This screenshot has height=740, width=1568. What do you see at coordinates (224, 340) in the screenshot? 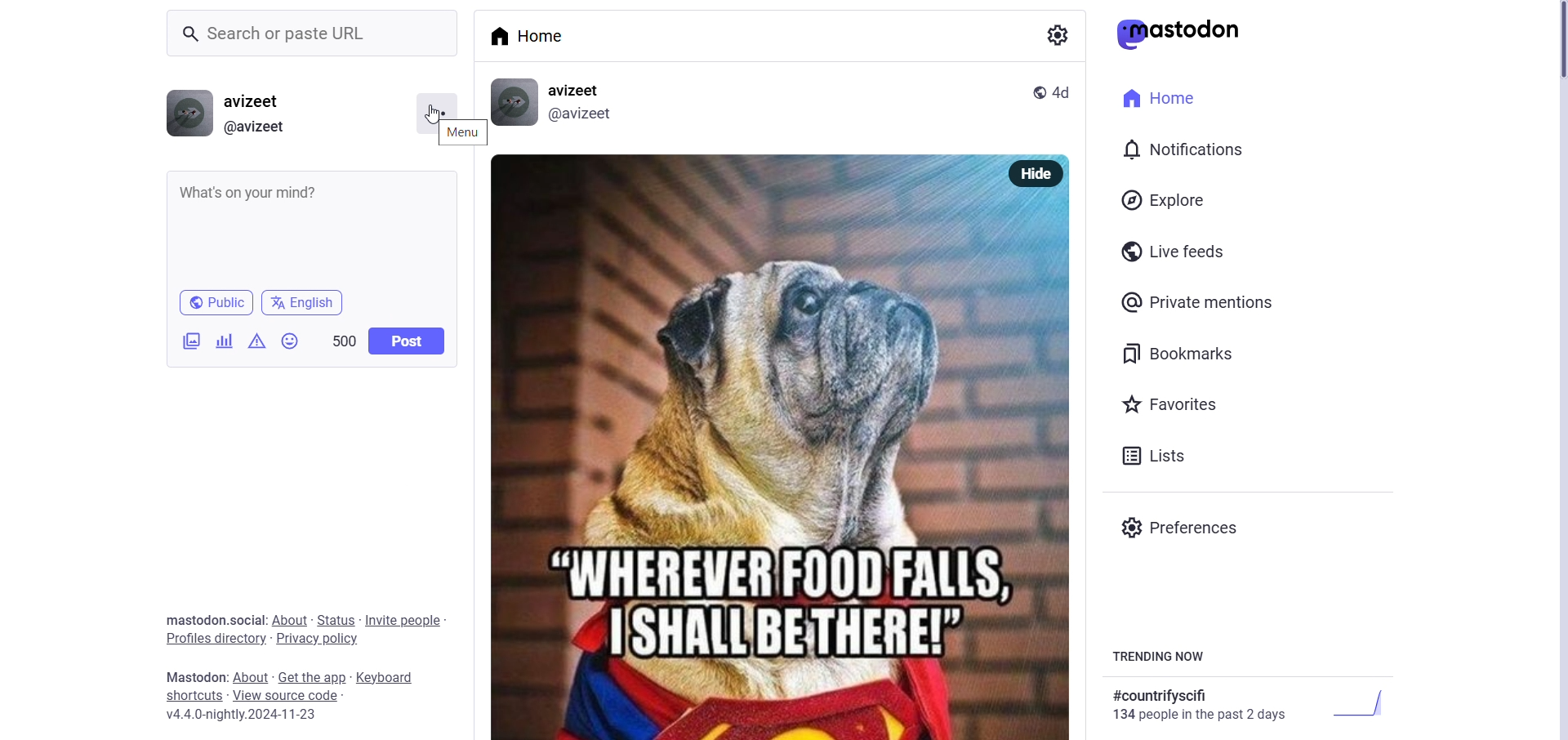
I see `poll` at bounding box center [224, 340].